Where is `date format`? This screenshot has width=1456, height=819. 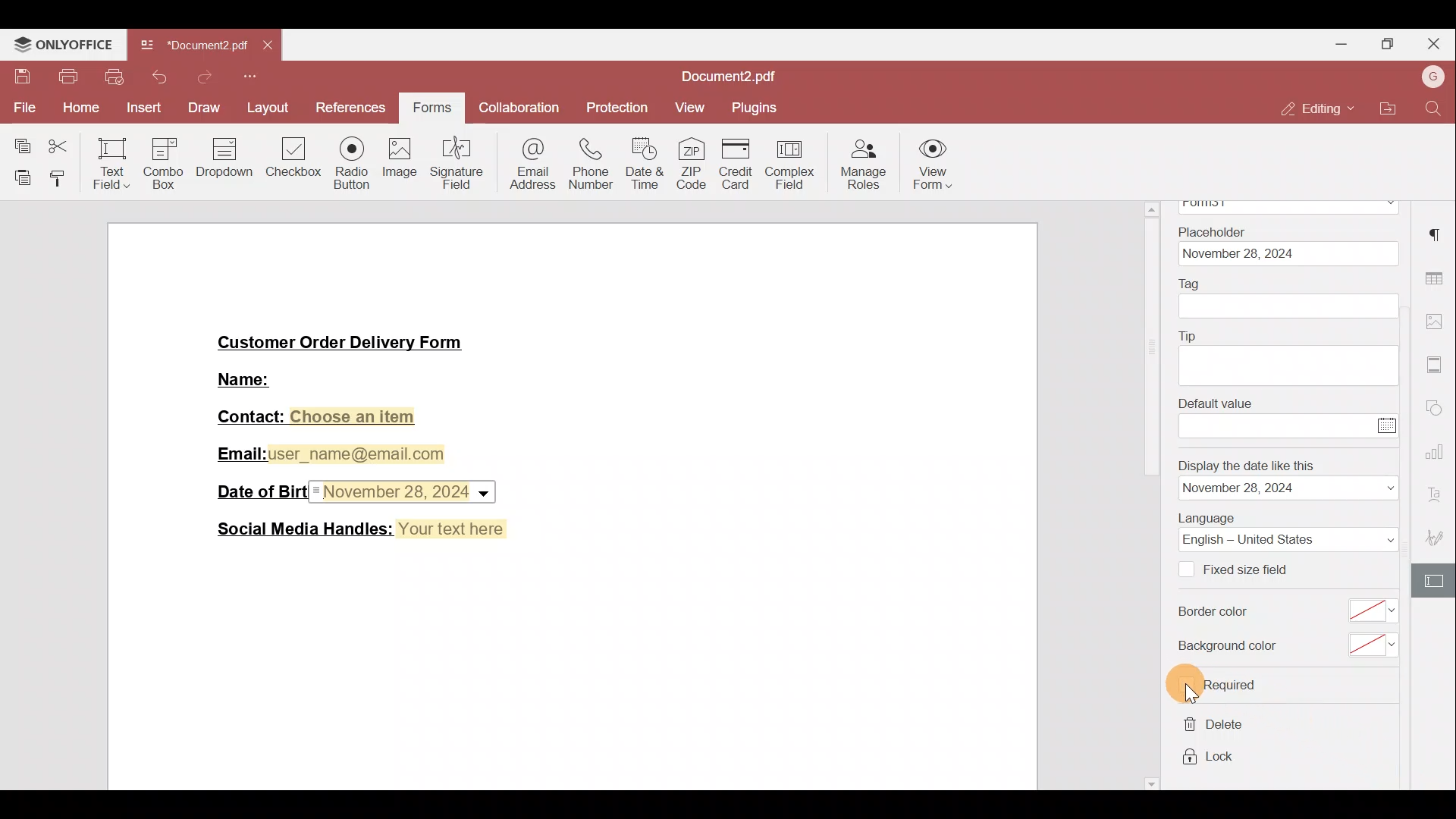
date format is located at coordinates (1289, 488).